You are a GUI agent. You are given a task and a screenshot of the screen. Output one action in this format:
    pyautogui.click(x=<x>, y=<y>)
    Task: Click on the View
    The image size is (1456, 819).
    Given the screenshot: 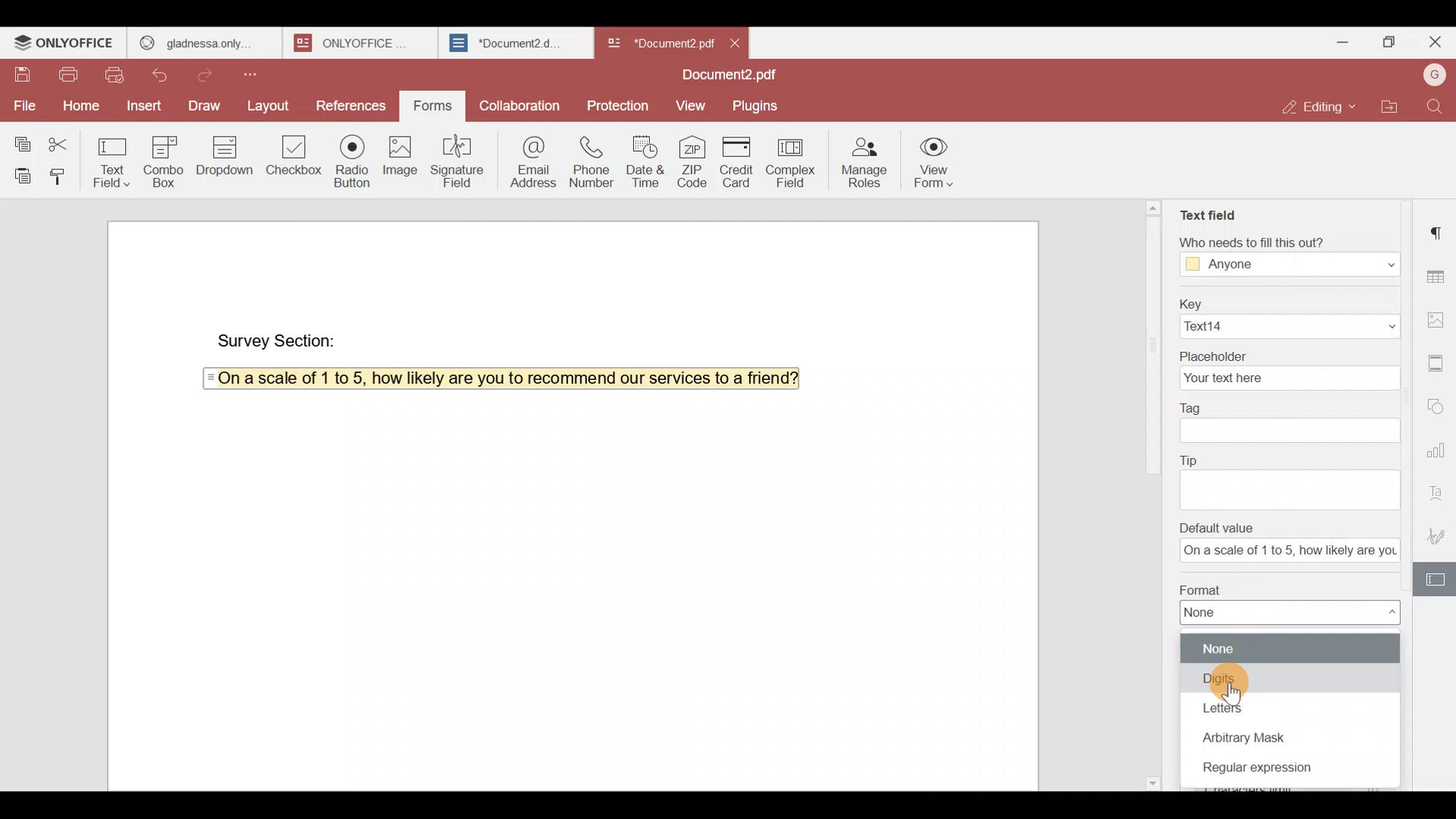 What is the action you would take?
    pyautogui.click(x=687, y=104)
    